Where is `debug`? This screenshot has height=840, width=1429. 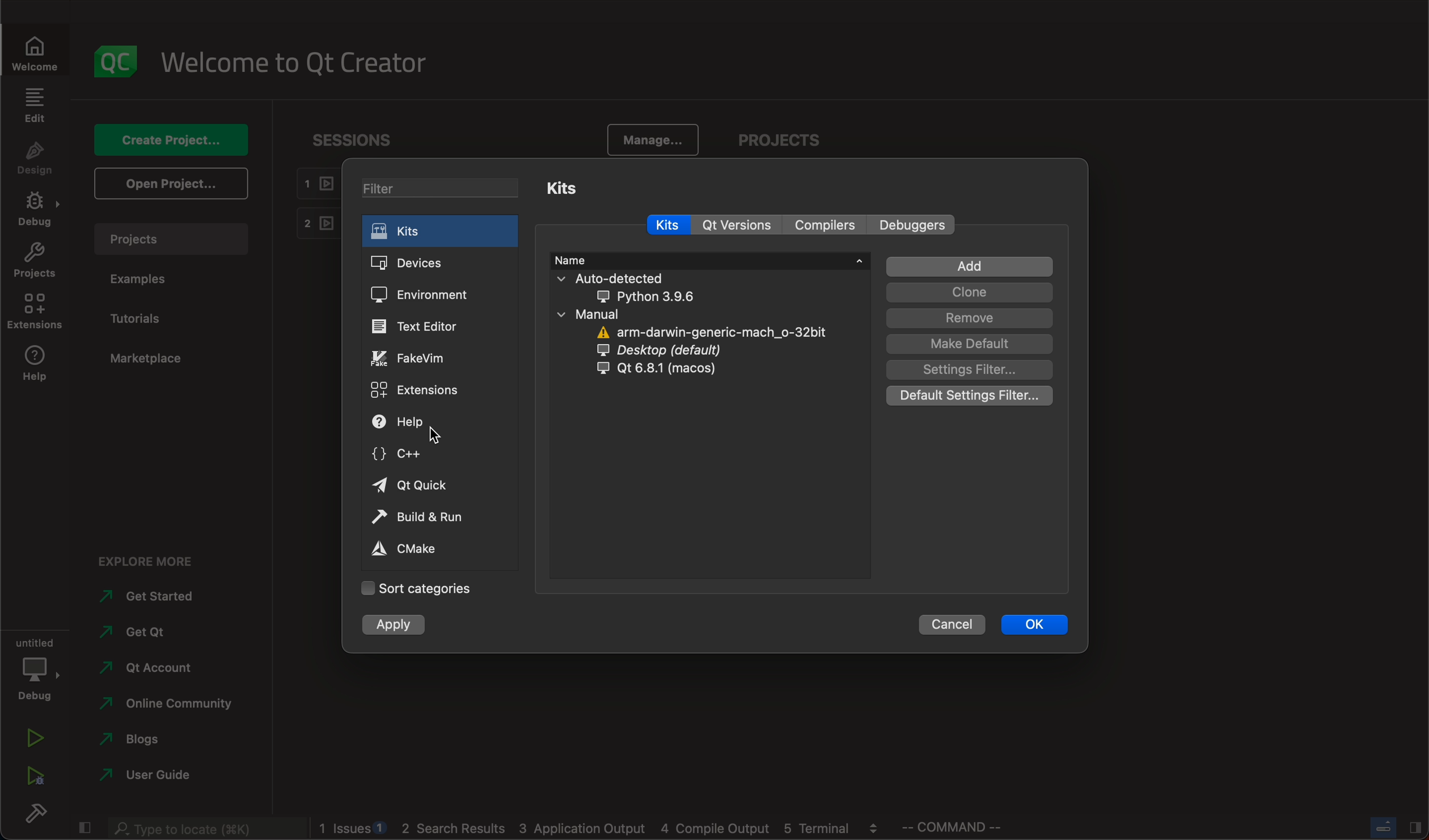
debug is located at coordinates (38, 667).